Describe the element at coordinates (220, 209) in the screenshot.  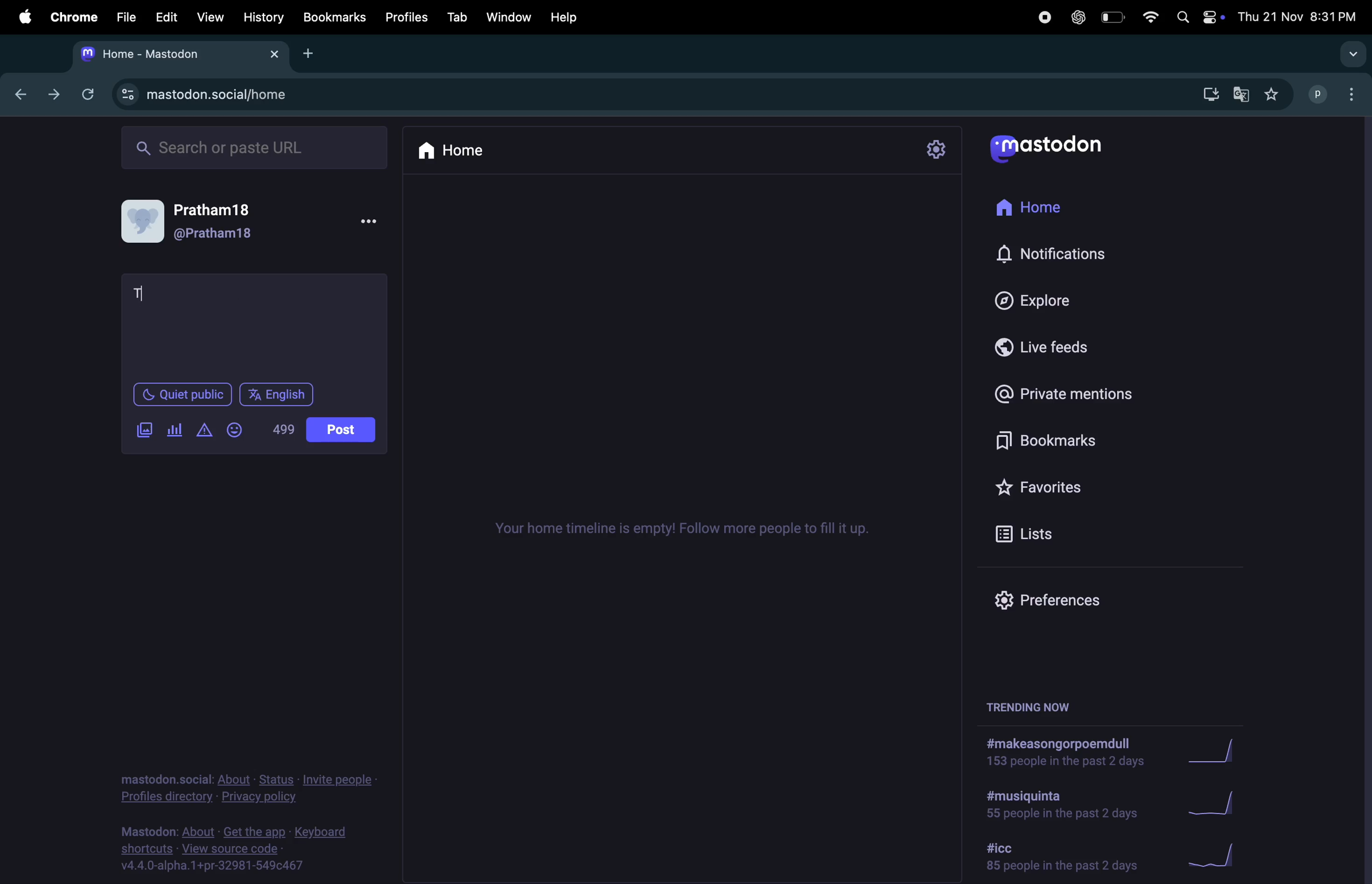
I see `user` at that location.